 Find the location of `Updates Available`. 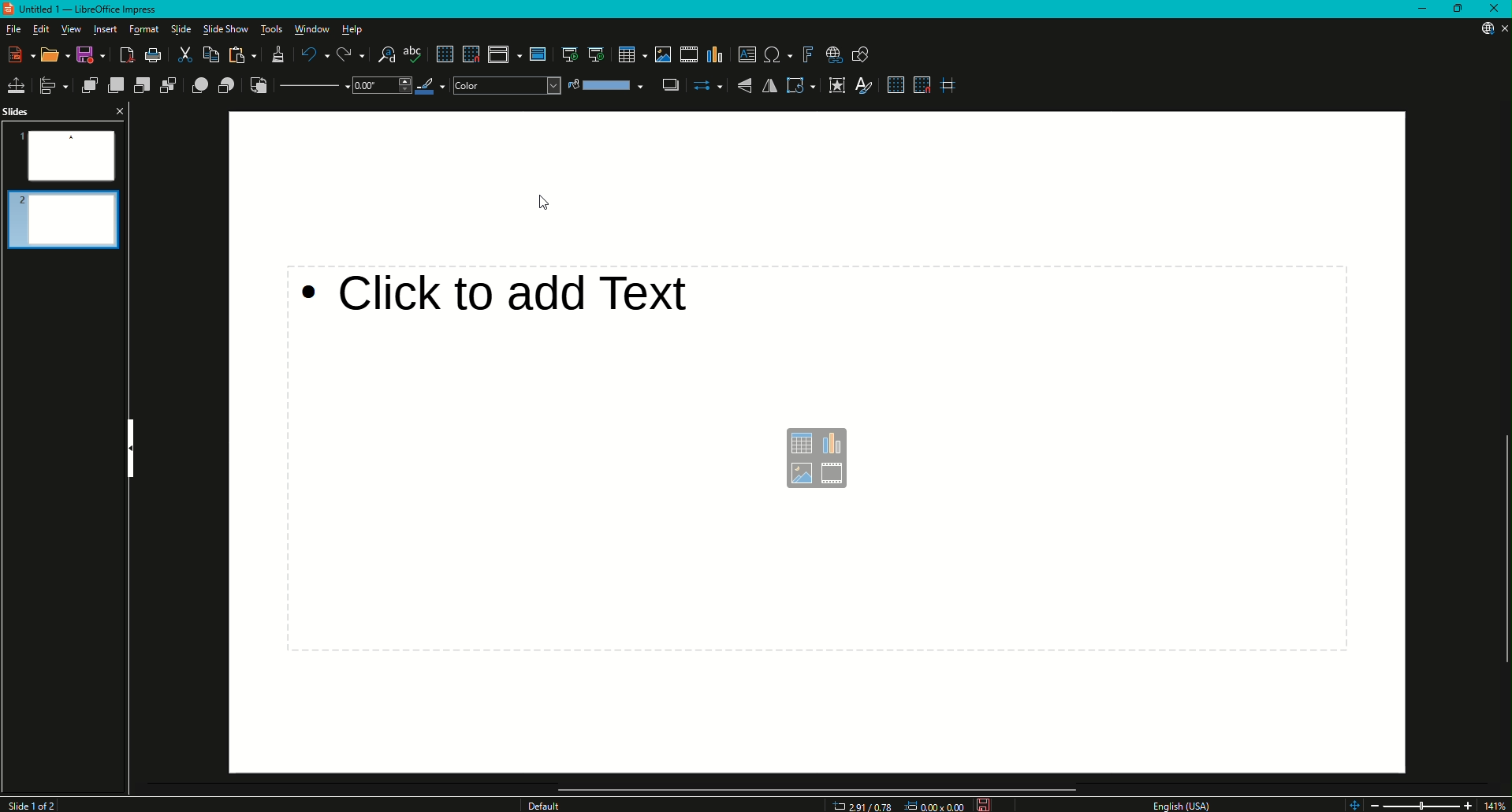

Updates Available is located at coordinates (1480, 28).